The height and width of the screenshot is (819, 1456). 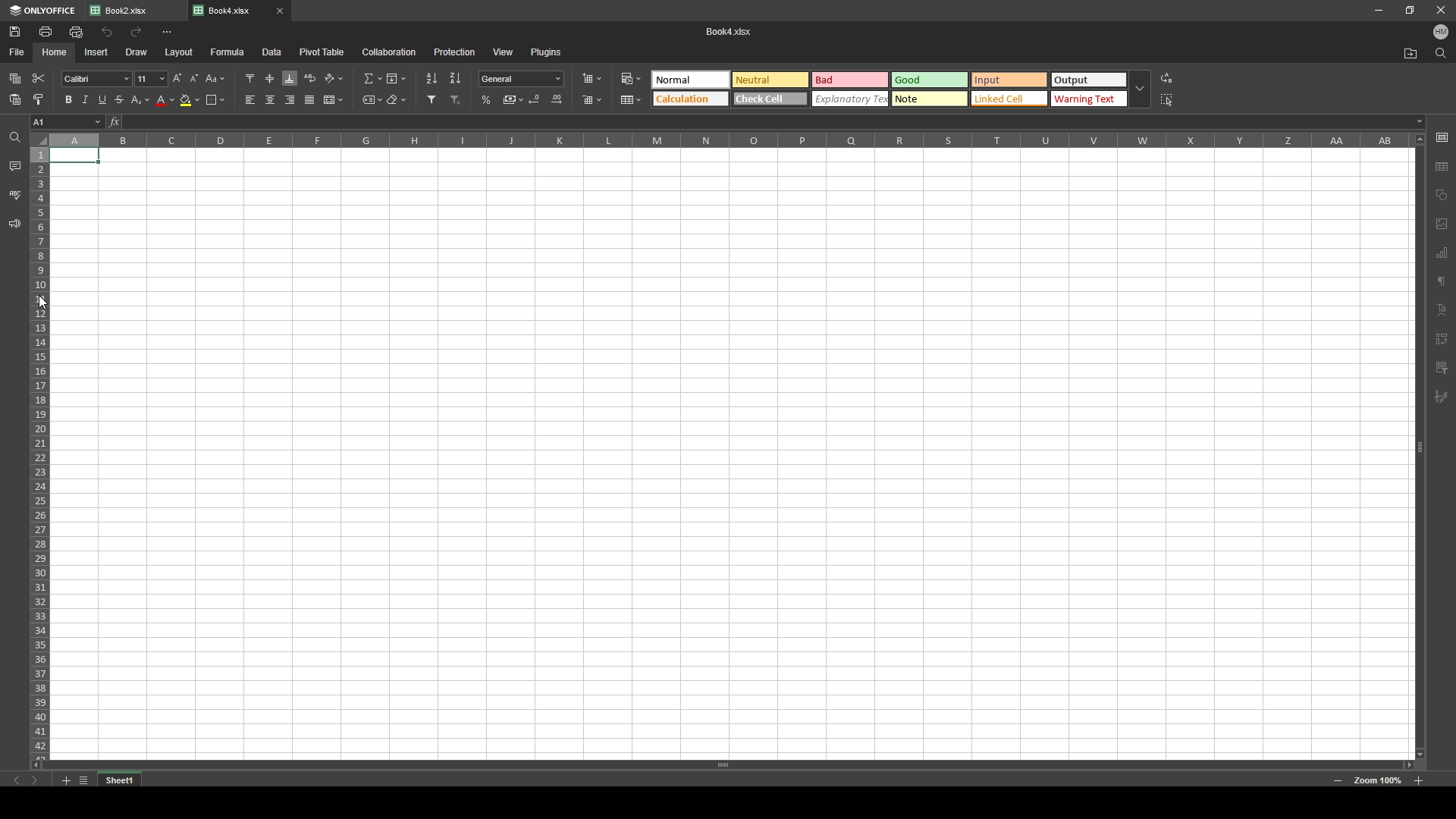 What do you see at coordinates (1442, 309) in the screenshot?
I see `text align` at bounding box center [1442, 309].